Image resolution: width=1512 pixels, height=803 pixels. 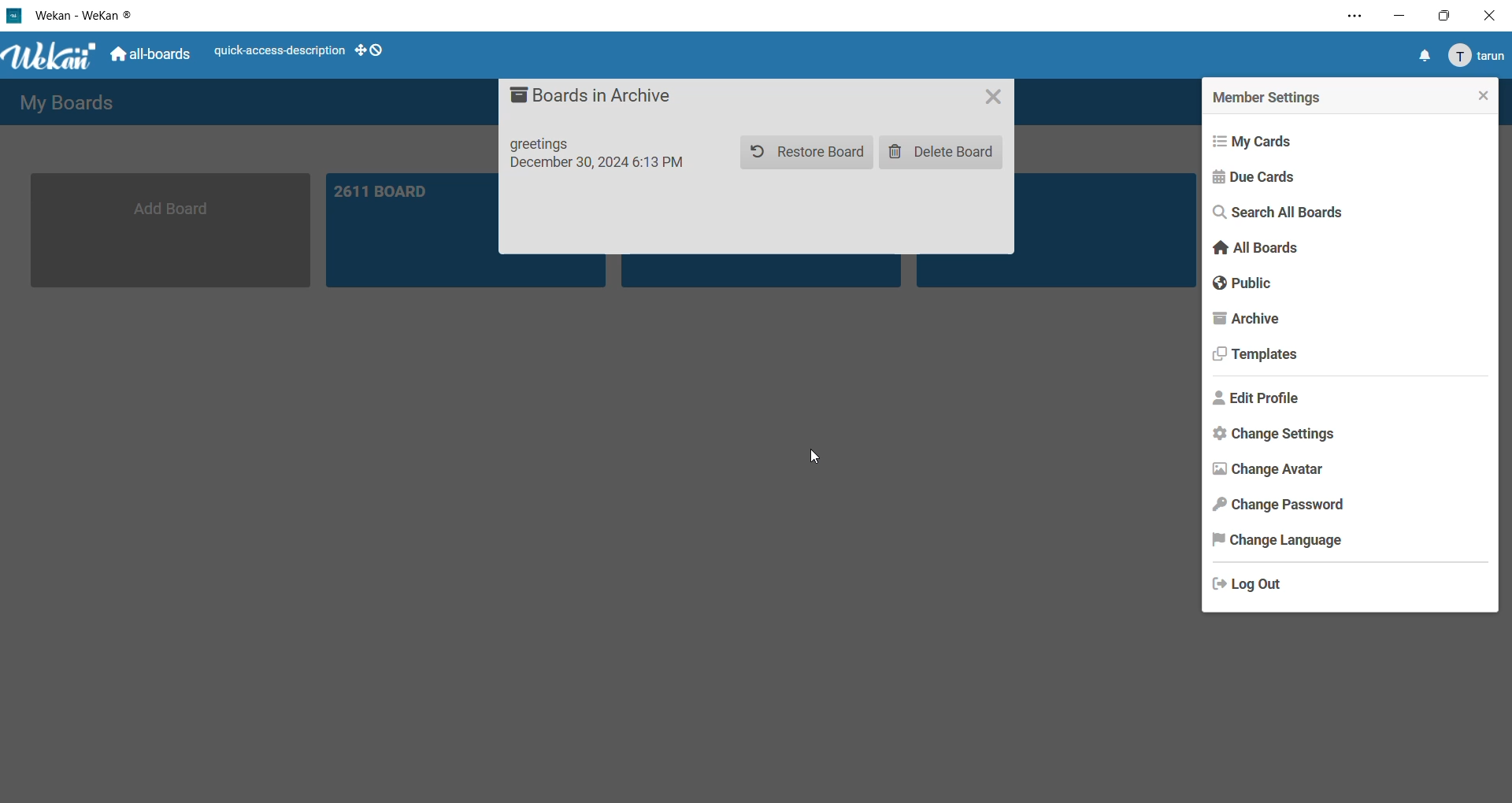 What do you see at coordinates (1106, 230) in the screenshot?
I see `bucket list` at bounding box center [1106, 230].